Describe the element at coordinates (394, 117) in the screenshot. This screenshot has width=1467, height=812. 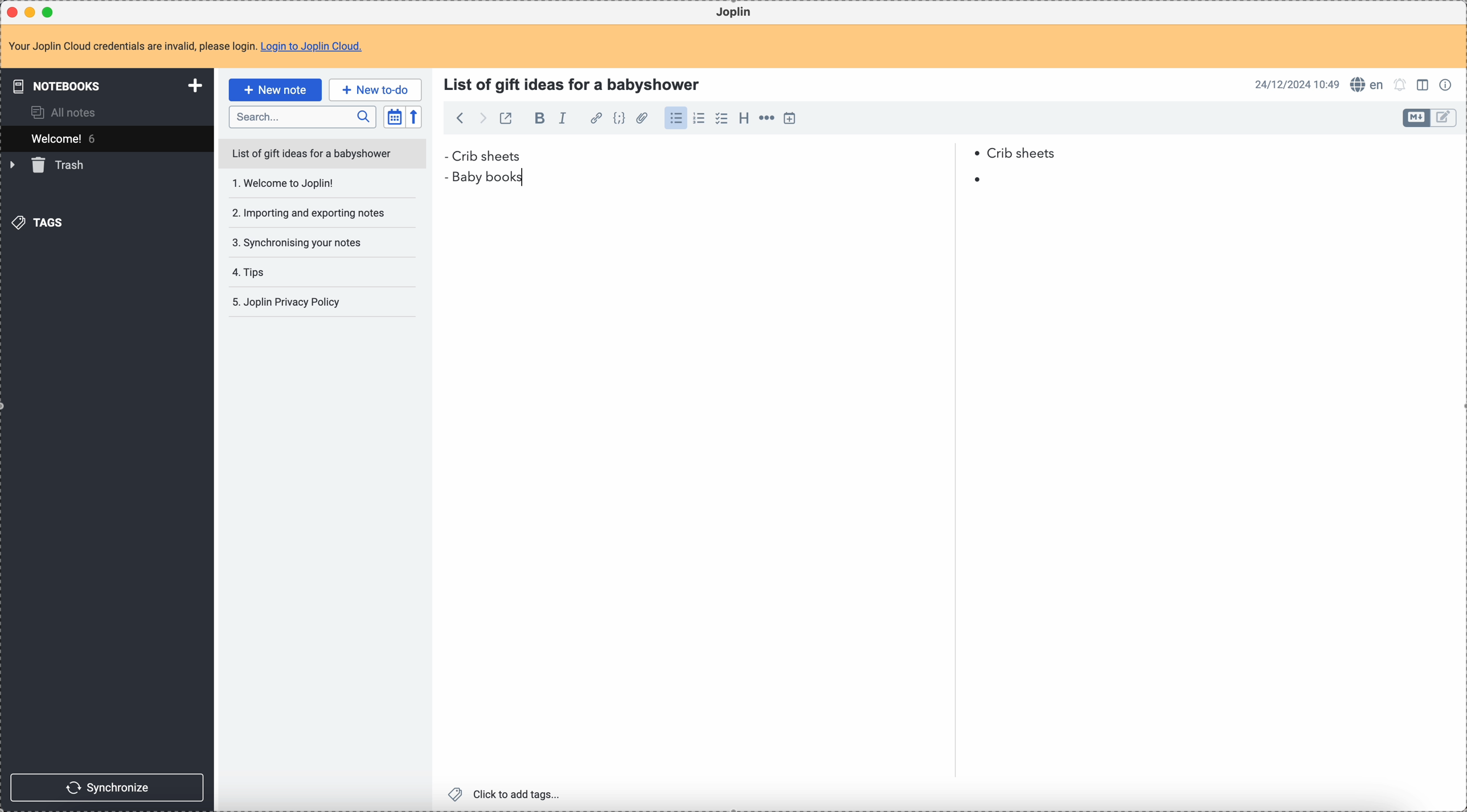
I see `toggle sort order field` at that location.